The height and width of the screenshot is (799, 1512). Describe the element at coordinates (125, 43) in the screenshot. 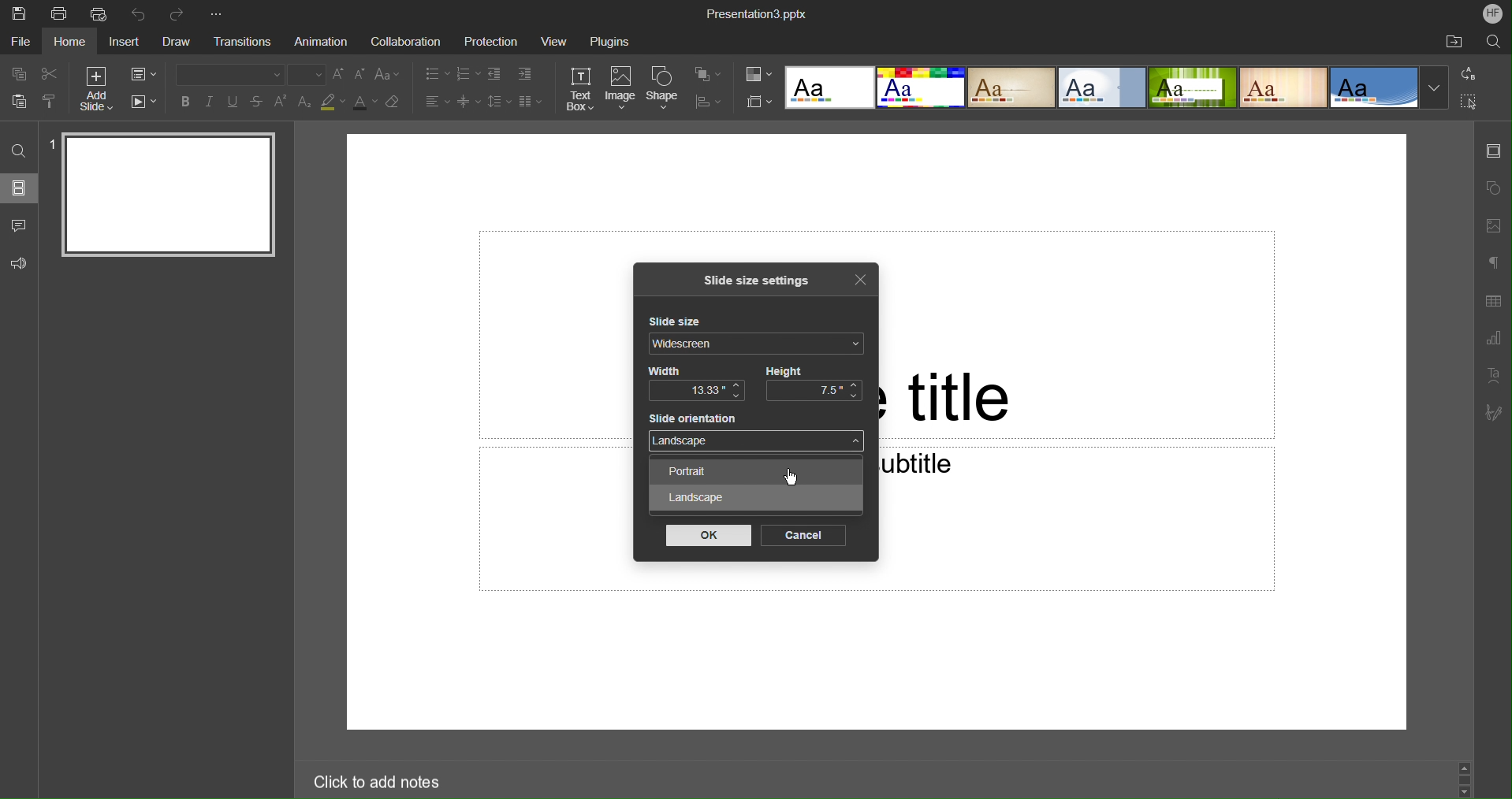

I see `Insert` at that location.